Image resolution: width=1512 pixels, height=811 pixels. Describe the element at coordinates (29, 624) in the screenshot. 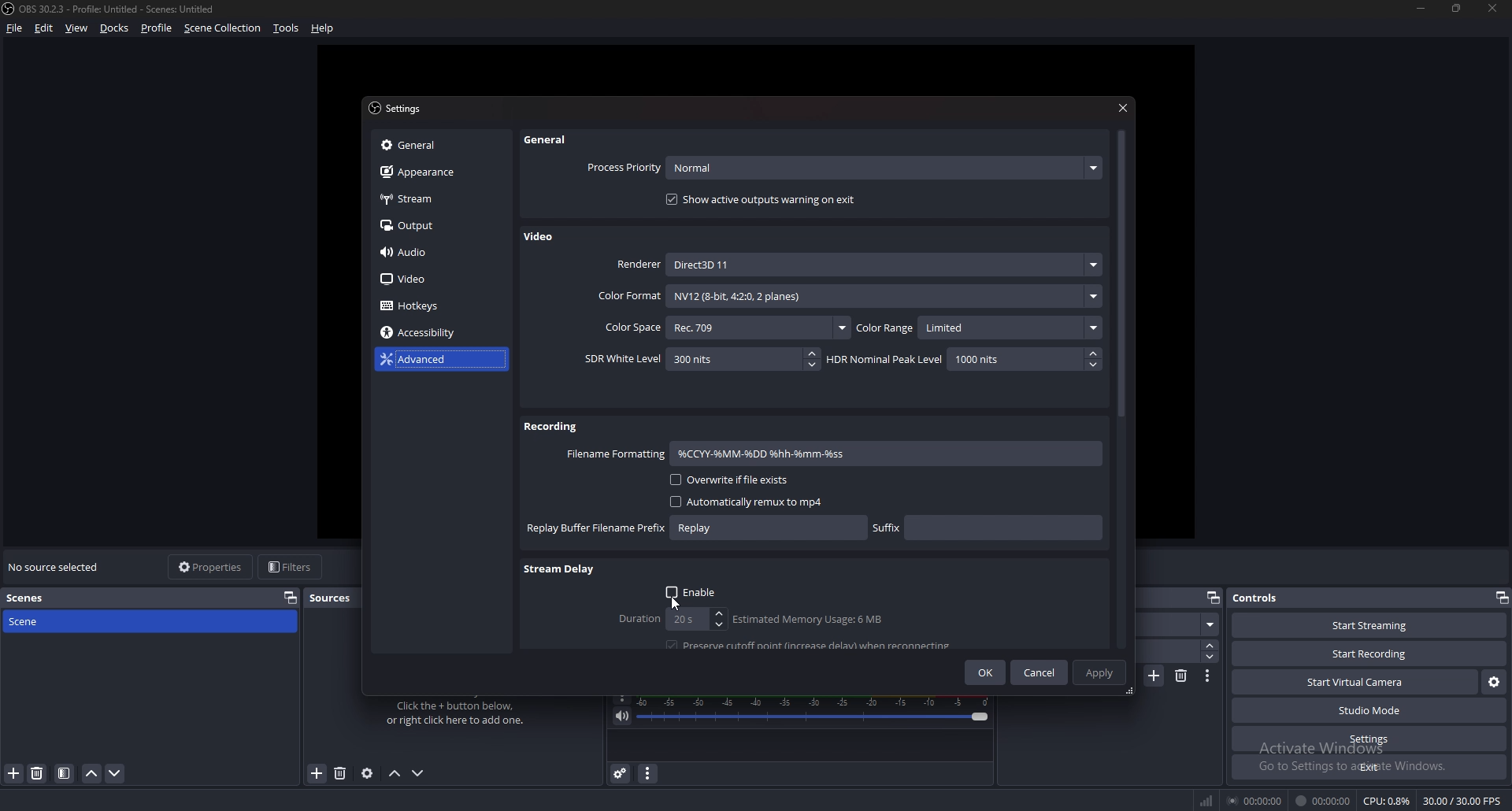

I see `scene` at that location.